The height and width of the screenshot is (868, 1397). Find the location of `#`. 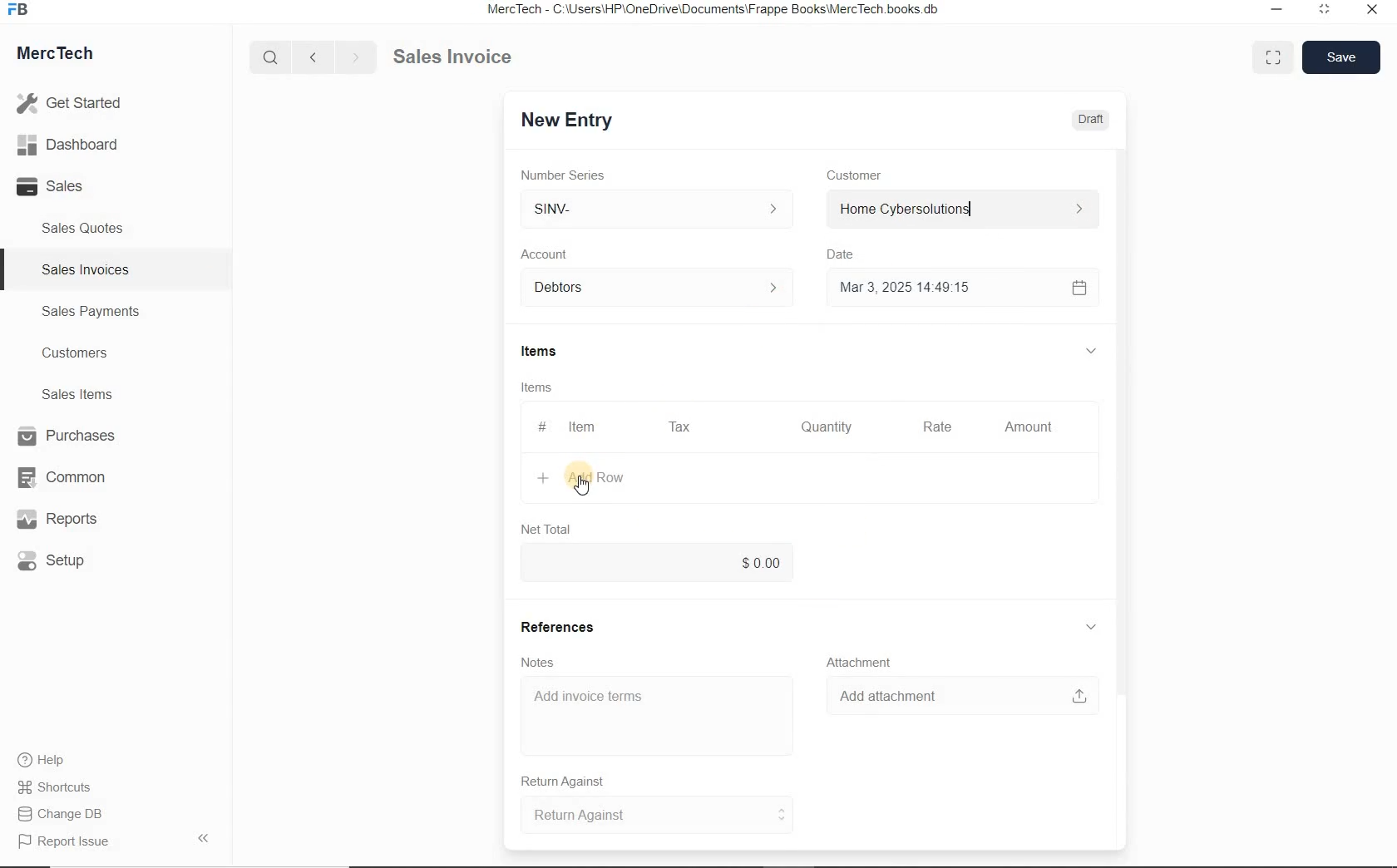

# is located at coordinates (540, 427).